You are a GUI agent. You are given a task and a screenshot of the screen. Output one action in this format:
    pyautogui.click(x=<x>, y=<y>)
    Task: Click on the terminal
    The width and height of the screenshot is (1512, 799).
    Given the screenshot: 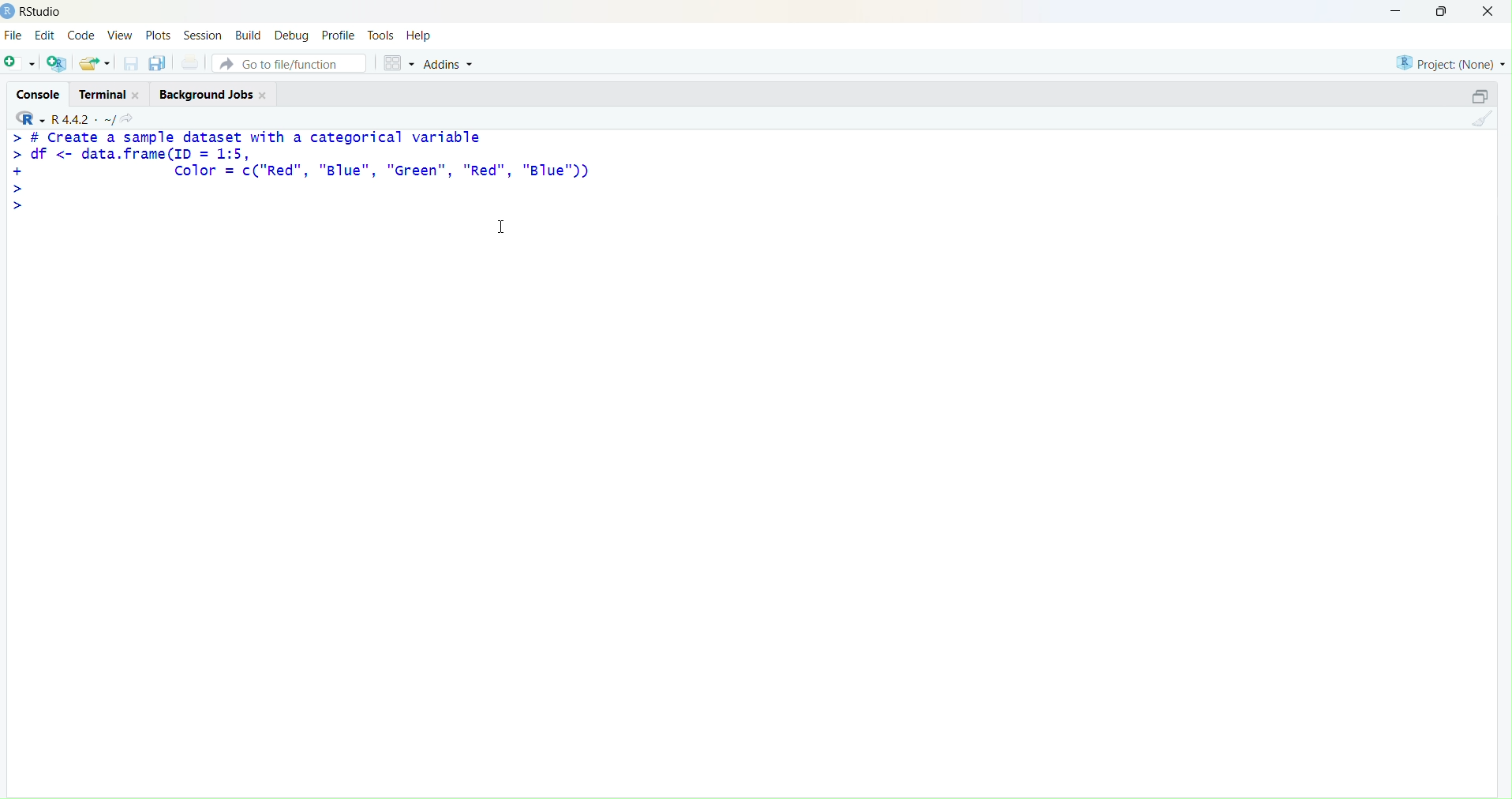 What is the action you would take?
    pyautogui.click(x=102, y=96)
    